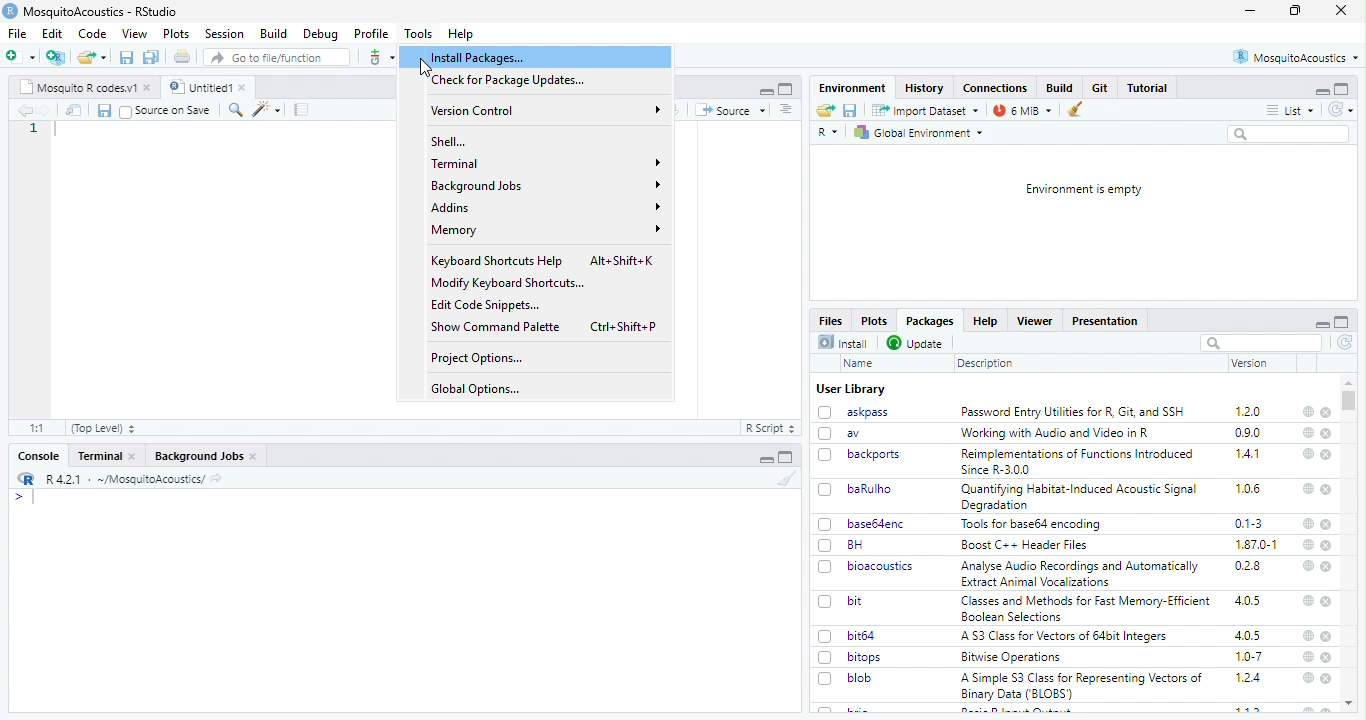  Describe the element at coordinates (853, 390) in the screenshot. I see `User Library` at that location.